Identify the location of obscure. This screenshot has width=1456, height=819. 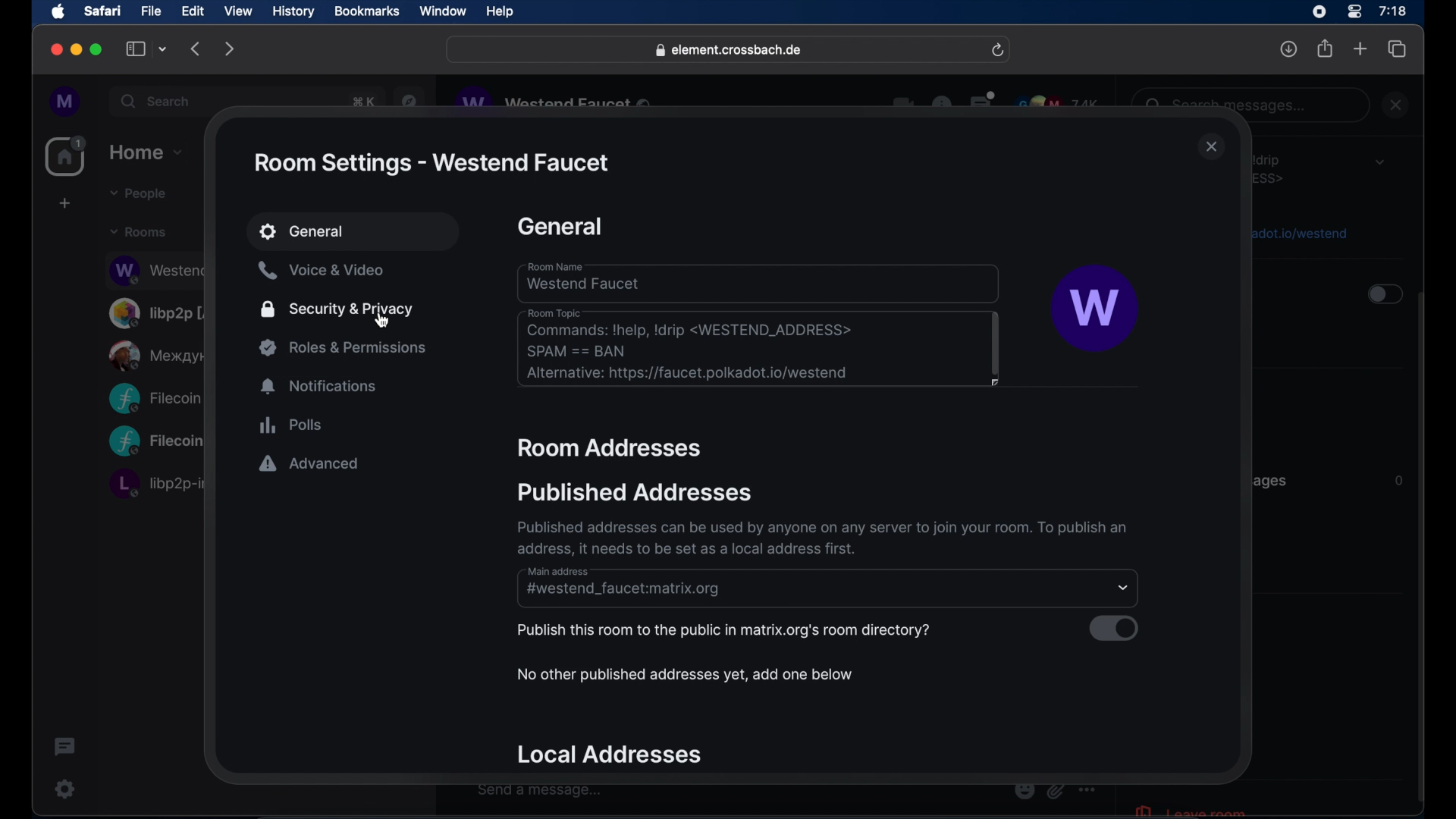
(361, 102).